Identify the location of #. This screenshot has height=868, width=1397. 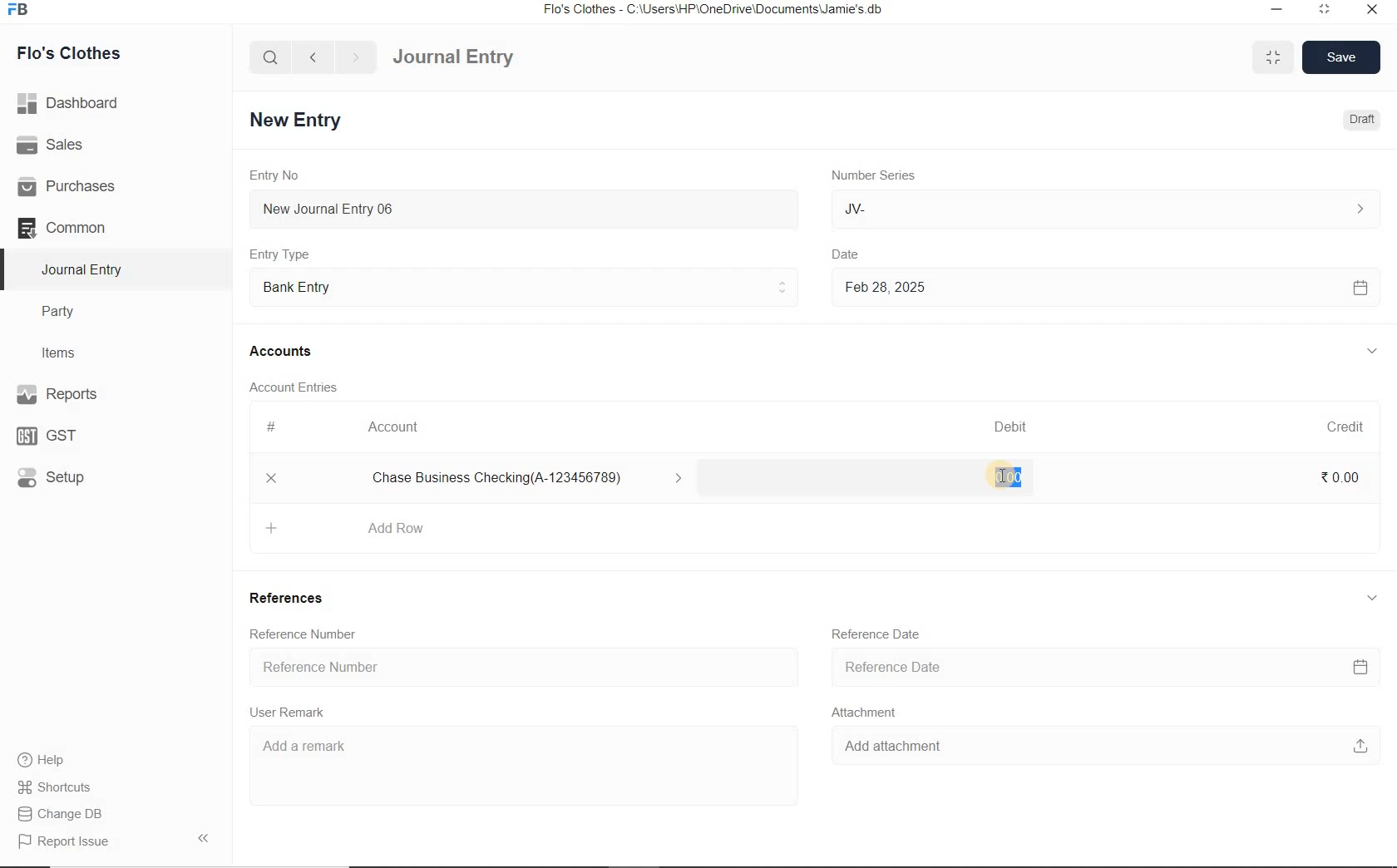
(272, 427).